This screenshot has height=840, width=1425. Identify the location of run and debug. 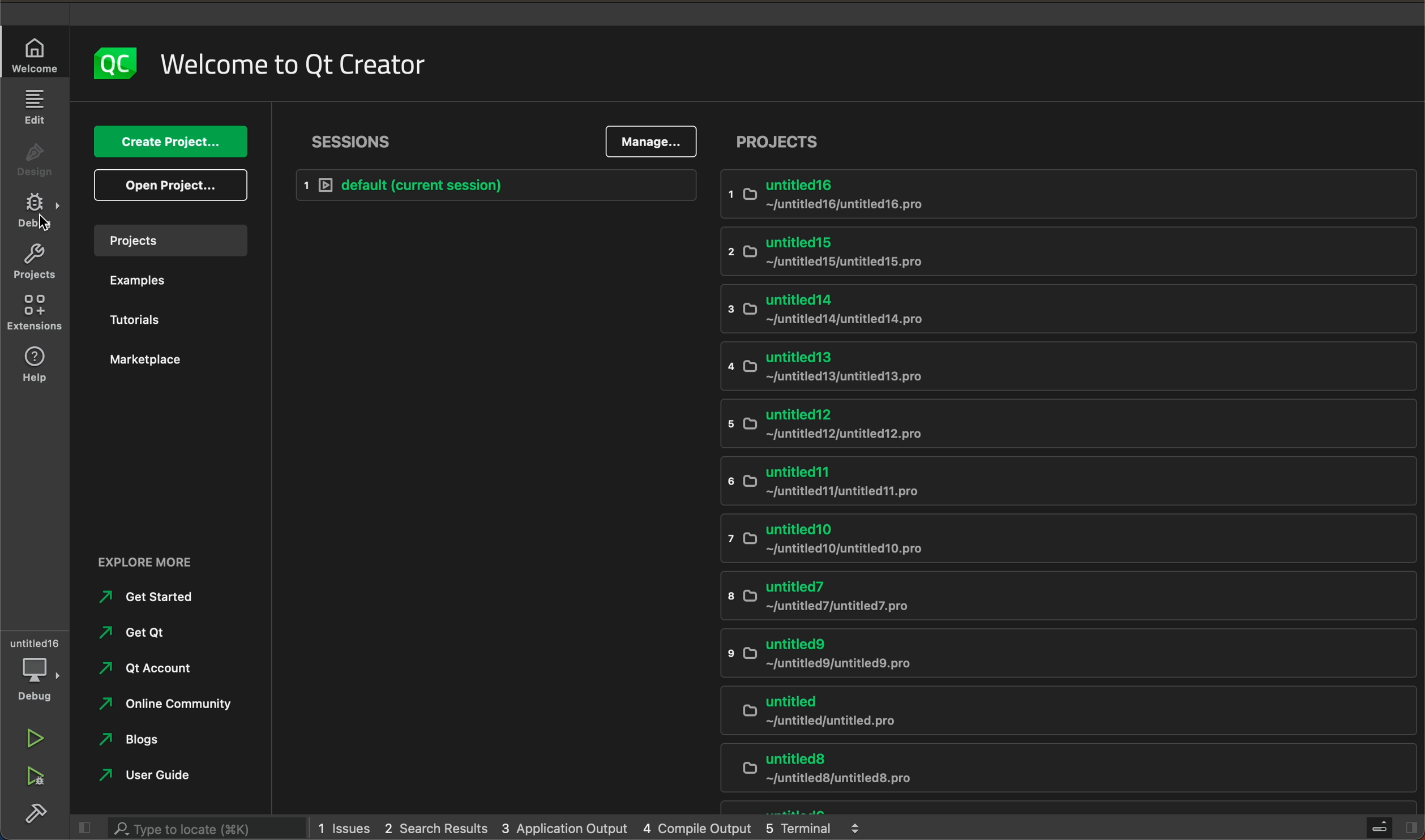
(34, 778).